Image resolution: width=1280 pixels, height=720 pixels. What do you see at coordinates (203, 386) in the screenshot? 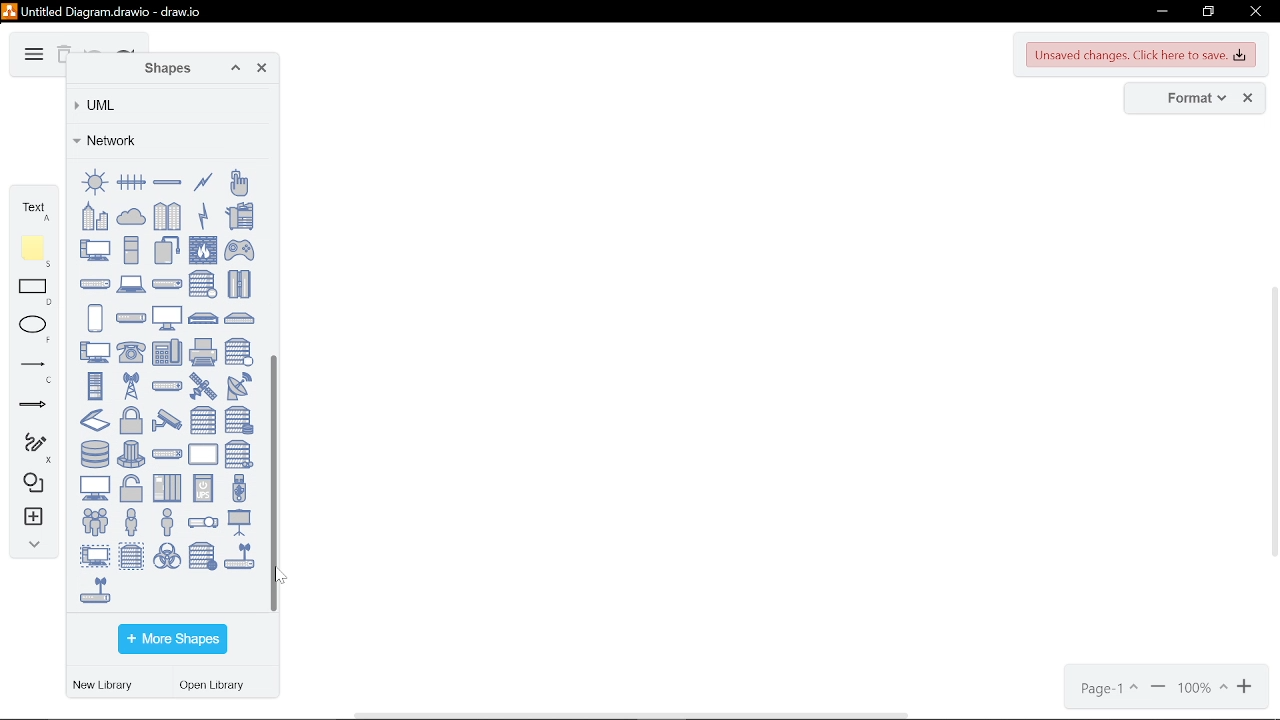
I see `satellite` at bounding box center [203, 386].